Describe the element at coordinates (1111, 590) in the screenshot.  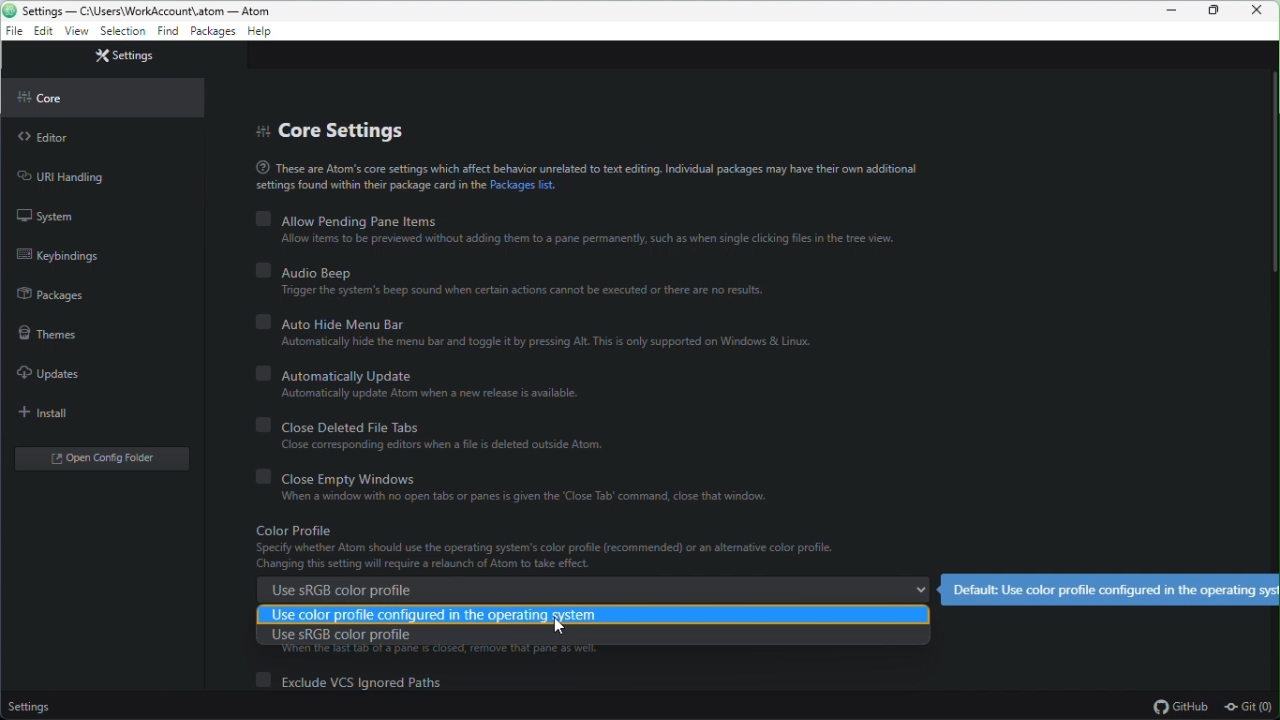
I see `FREE TRIAL EXPIREDdefault settings` at that location.